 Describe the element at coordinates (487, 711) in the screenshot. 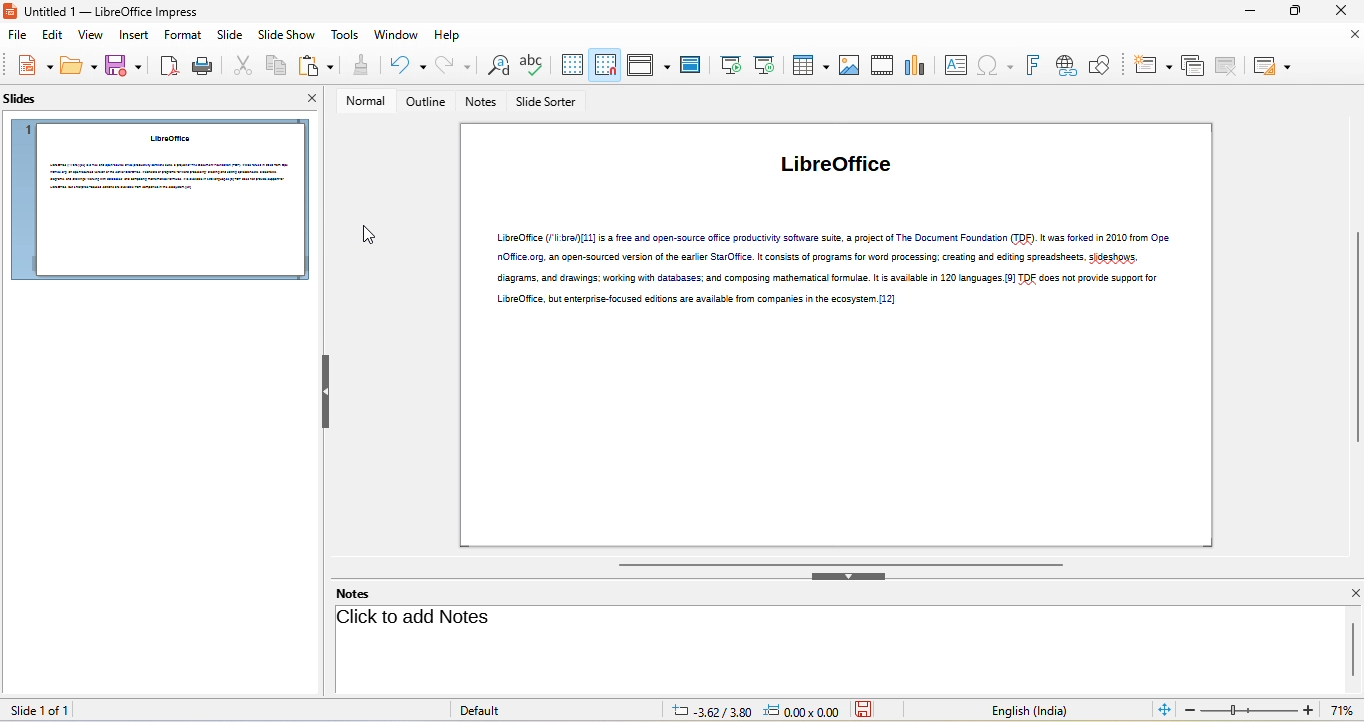

I see `default` at that location.